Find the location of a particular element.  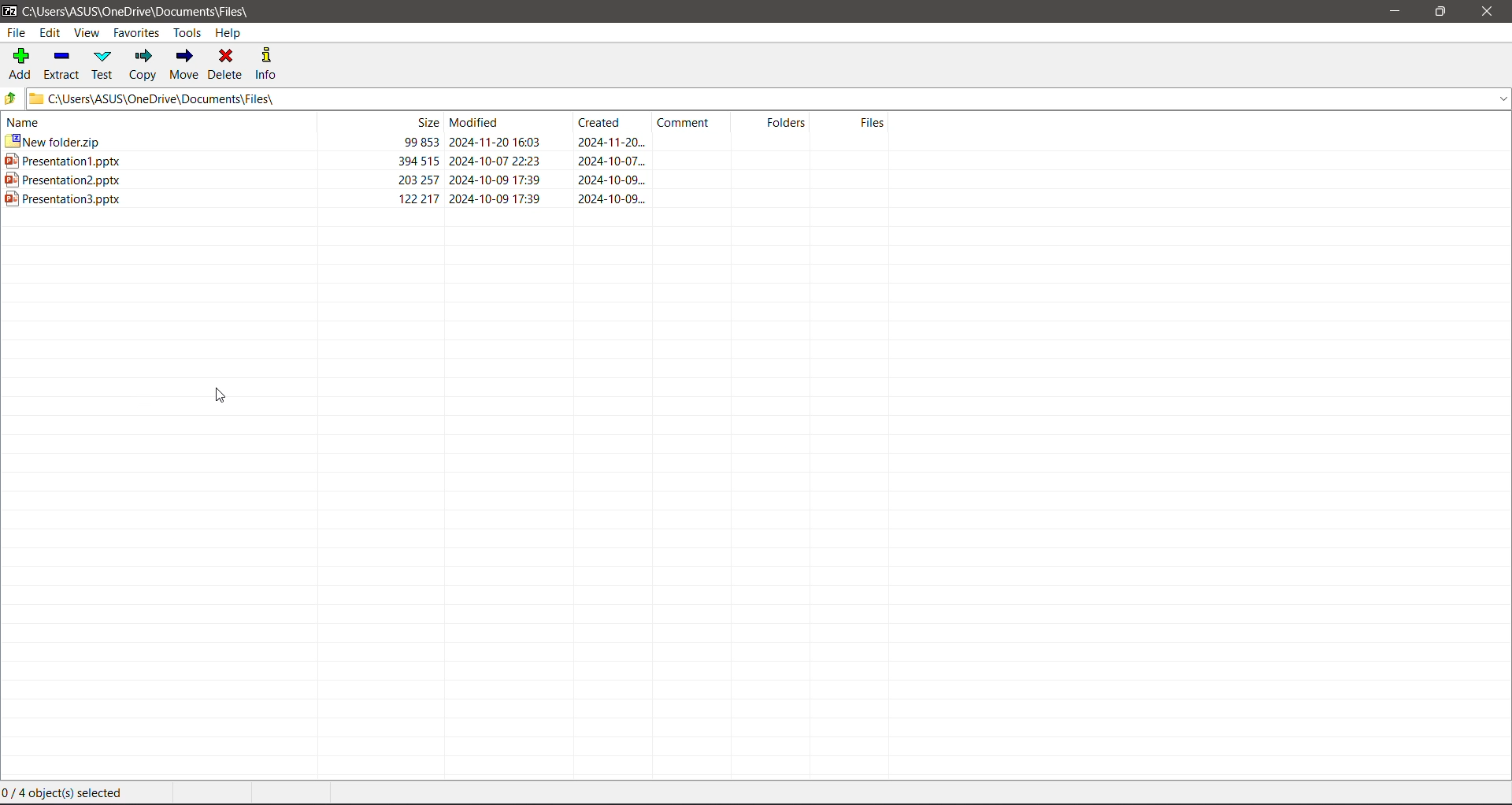

Tools is located at coordinates (187, 32).